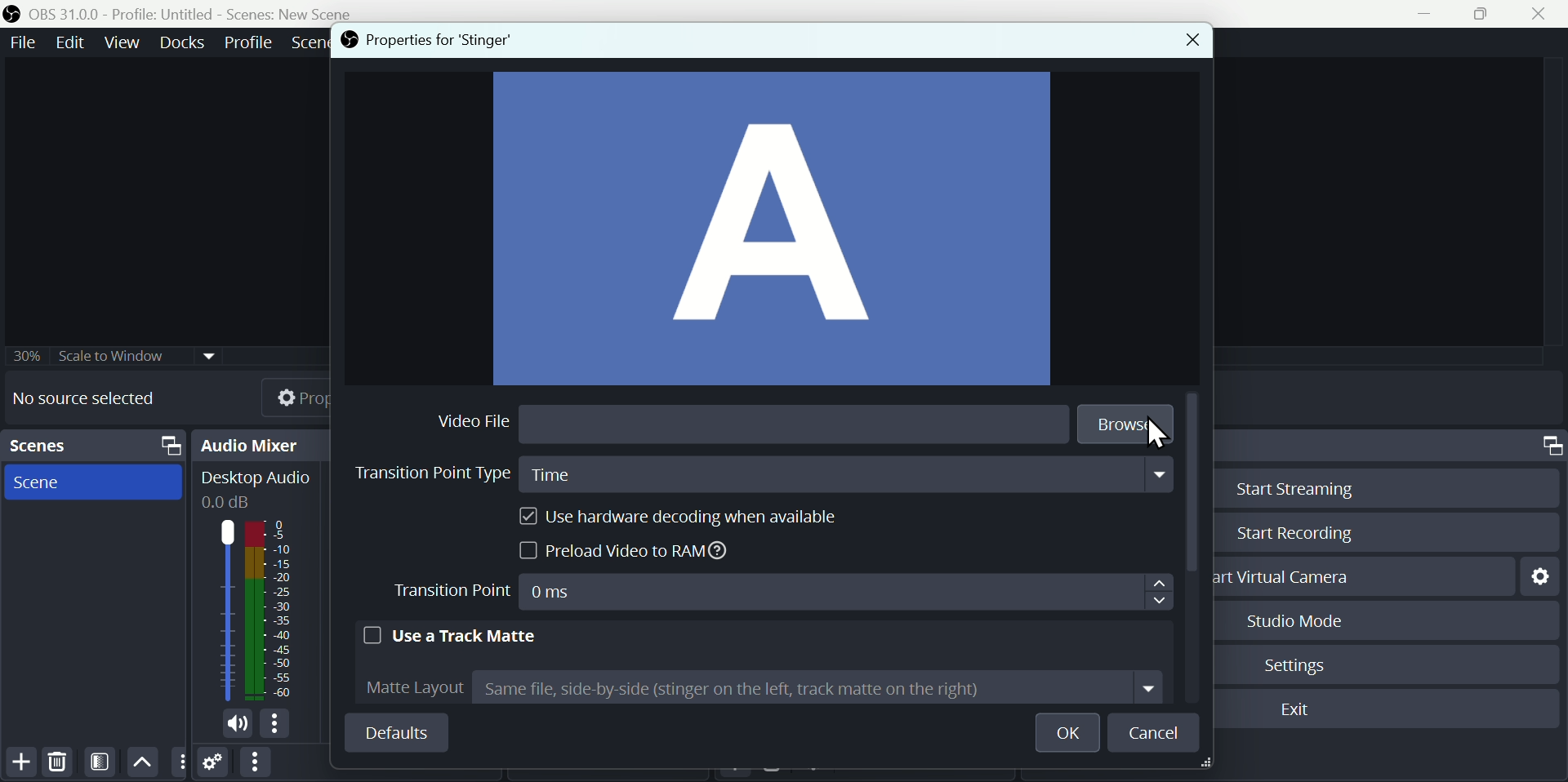 This screenshot has height=782, width=1568. I want to click on A, so click(773, 230).